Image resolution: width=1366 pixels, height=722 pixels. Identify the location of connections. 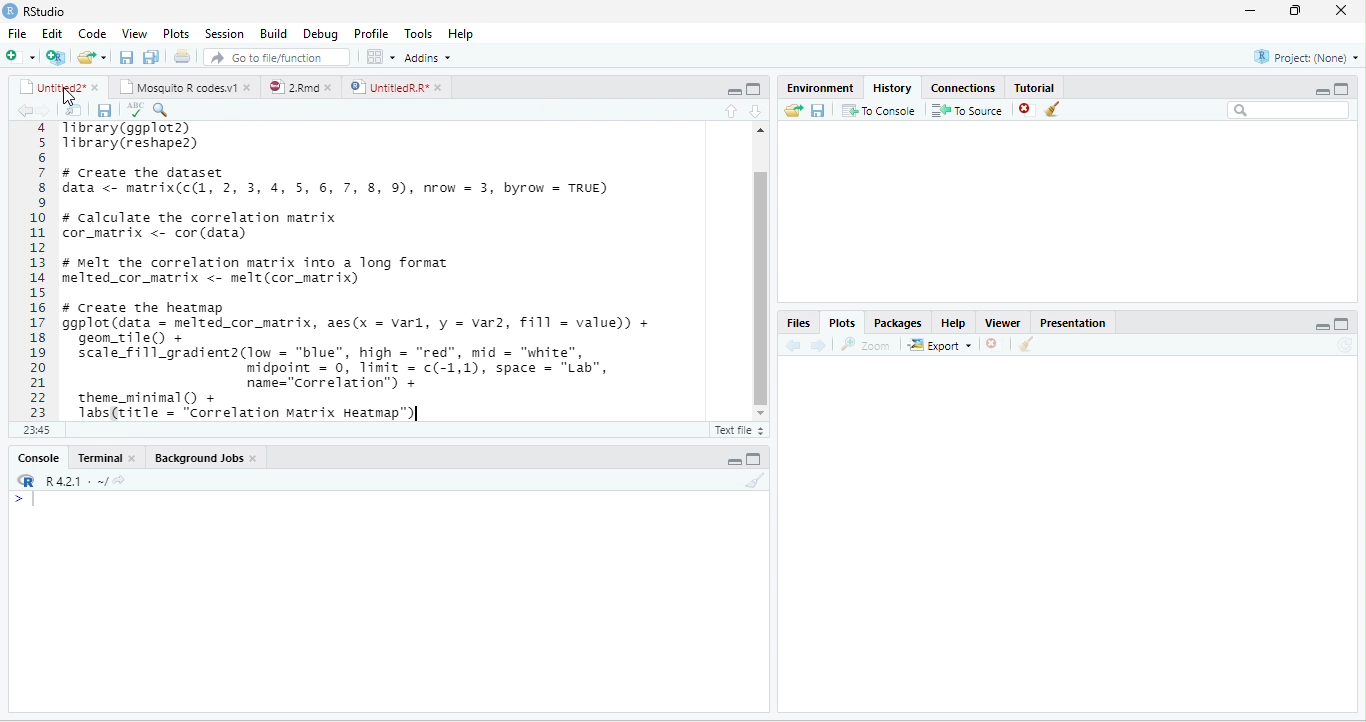
(961, 86).